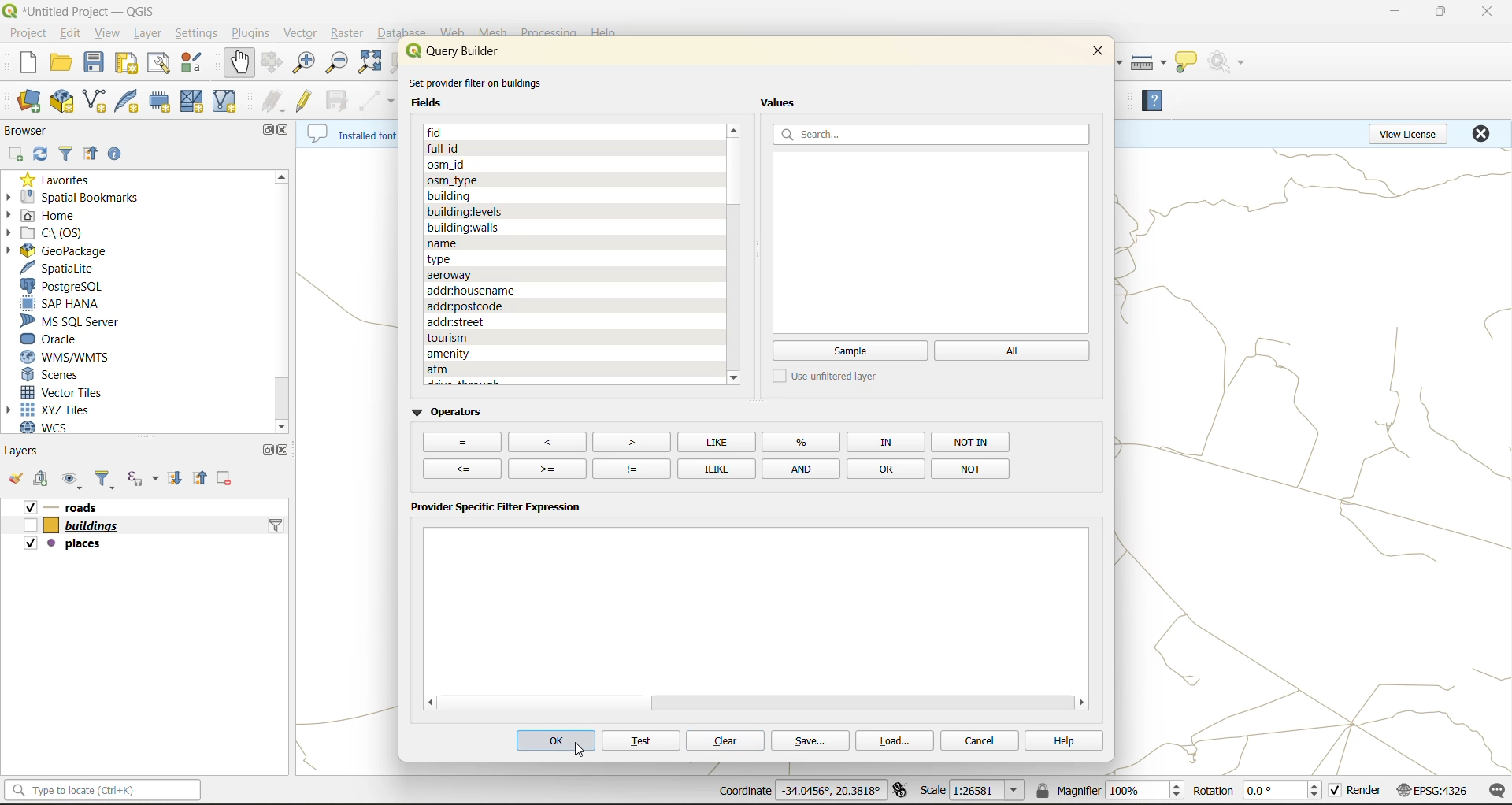  Describe the element at coordinates (17, 477) in the screenshot. I see `open` at that location.